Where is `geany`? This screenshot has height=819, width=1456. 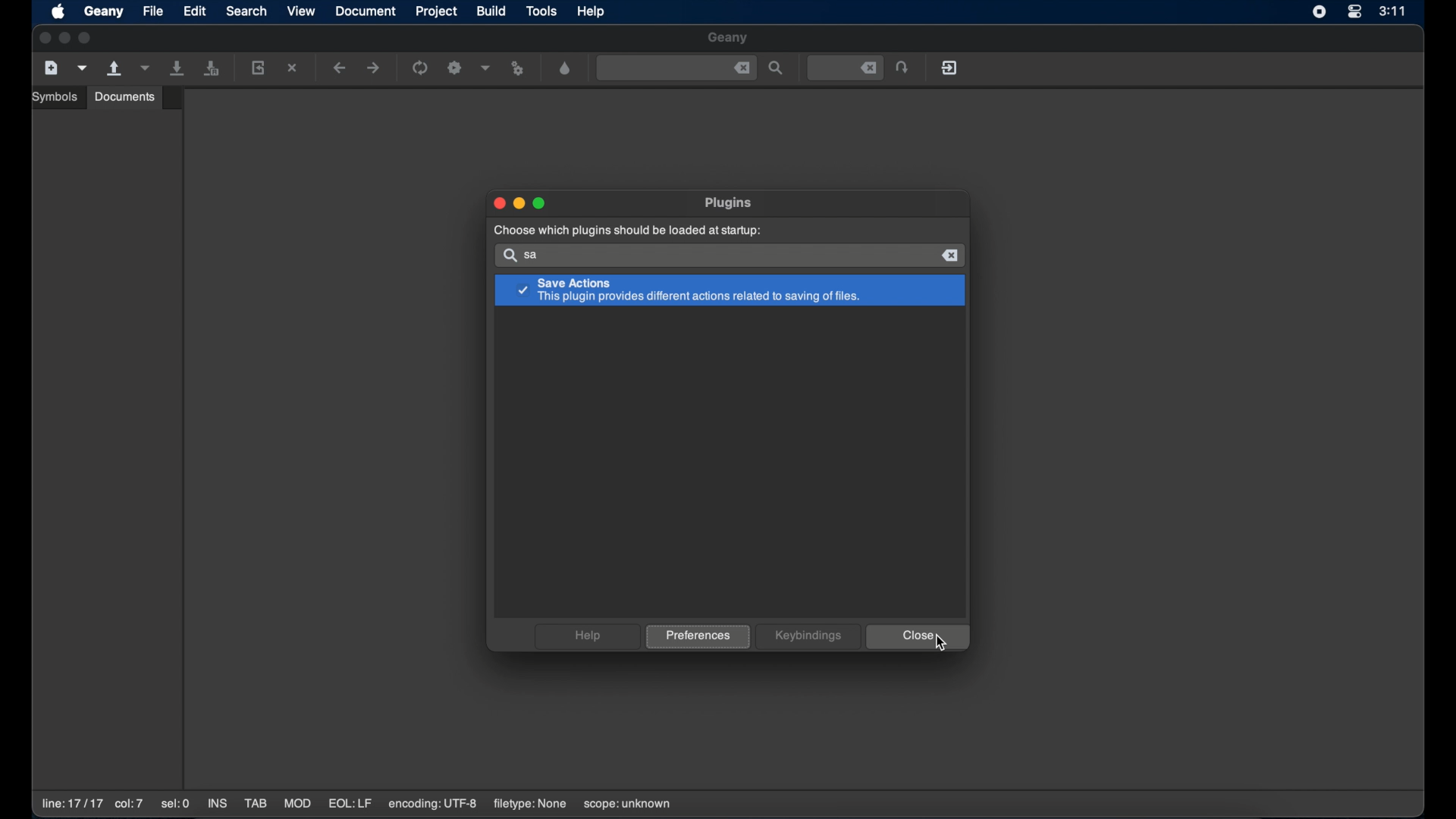 geany is located at coordinates (729, 39).